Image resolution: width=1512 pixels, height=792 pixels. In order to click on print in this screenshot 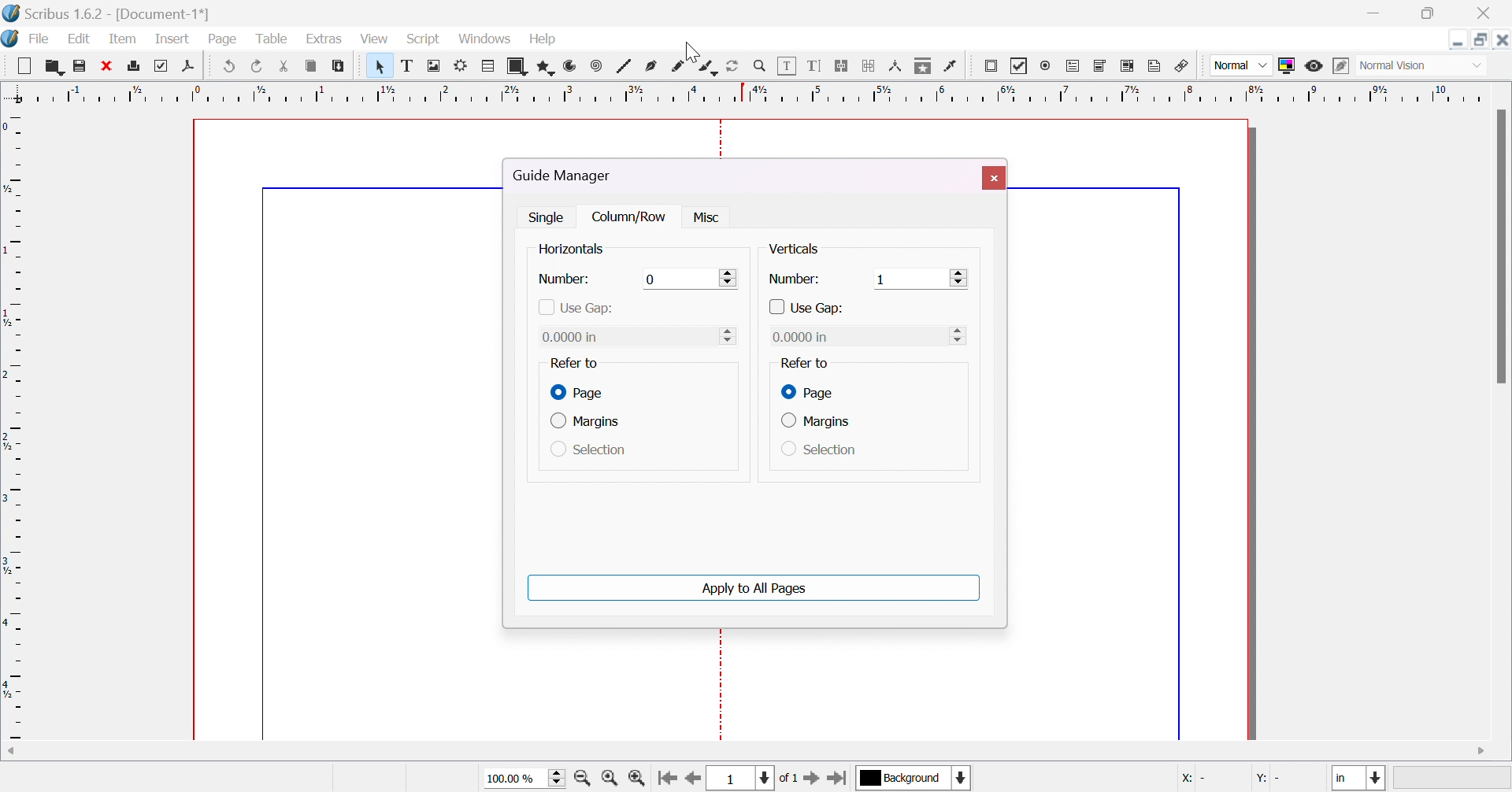, I will do `click(138, 65)`.